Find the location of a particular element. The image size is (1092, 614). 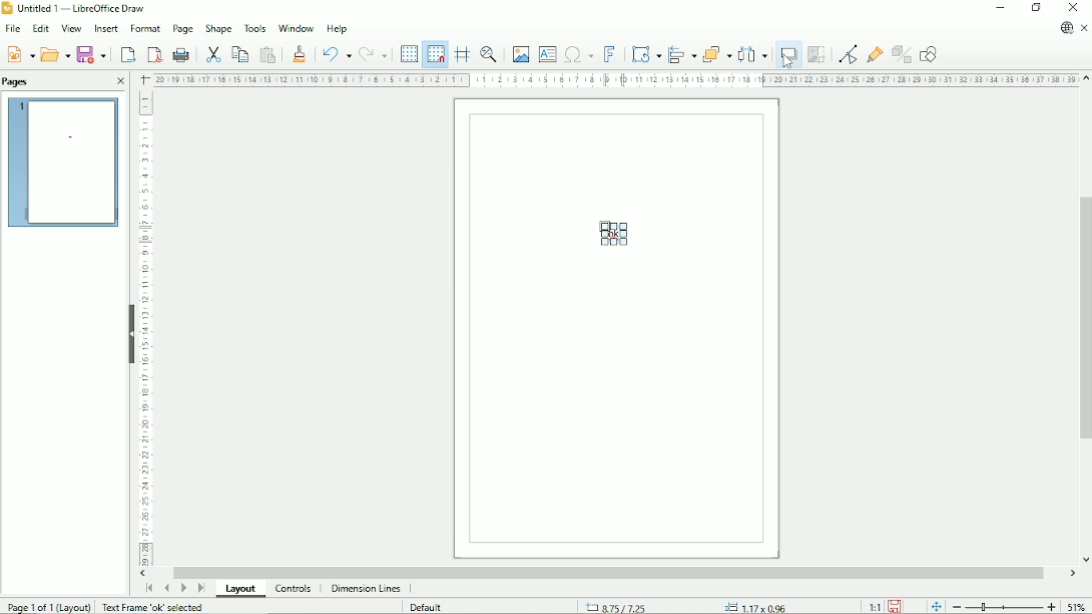

Cursor is located at coordinates (785, 64).